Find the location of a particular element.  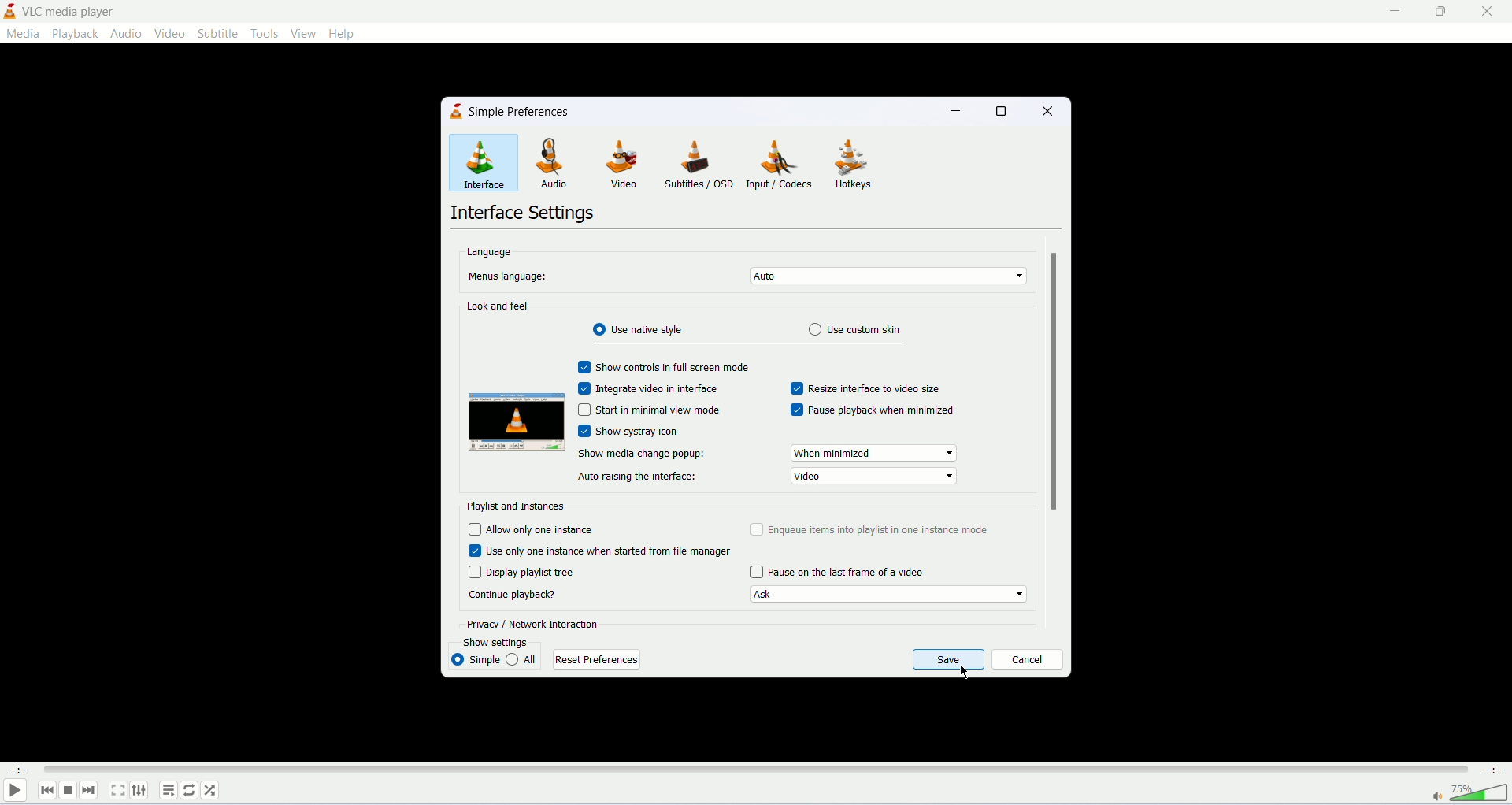

image is located at coordinates (515, 421).